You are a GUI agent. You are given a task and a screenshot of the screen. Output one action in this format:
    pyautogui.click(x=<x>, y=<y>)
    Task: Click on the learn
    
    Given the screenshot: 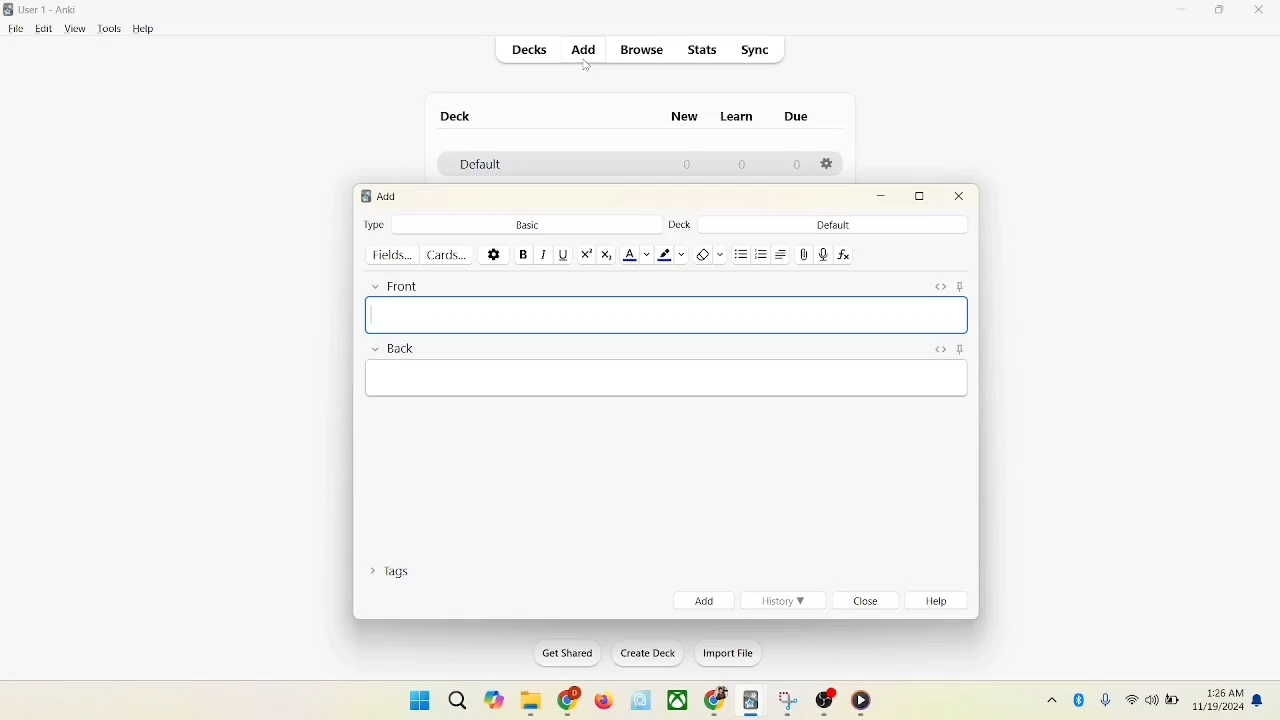 What is the action you would take?
    pyautogui.click(x=742, y=117)
    